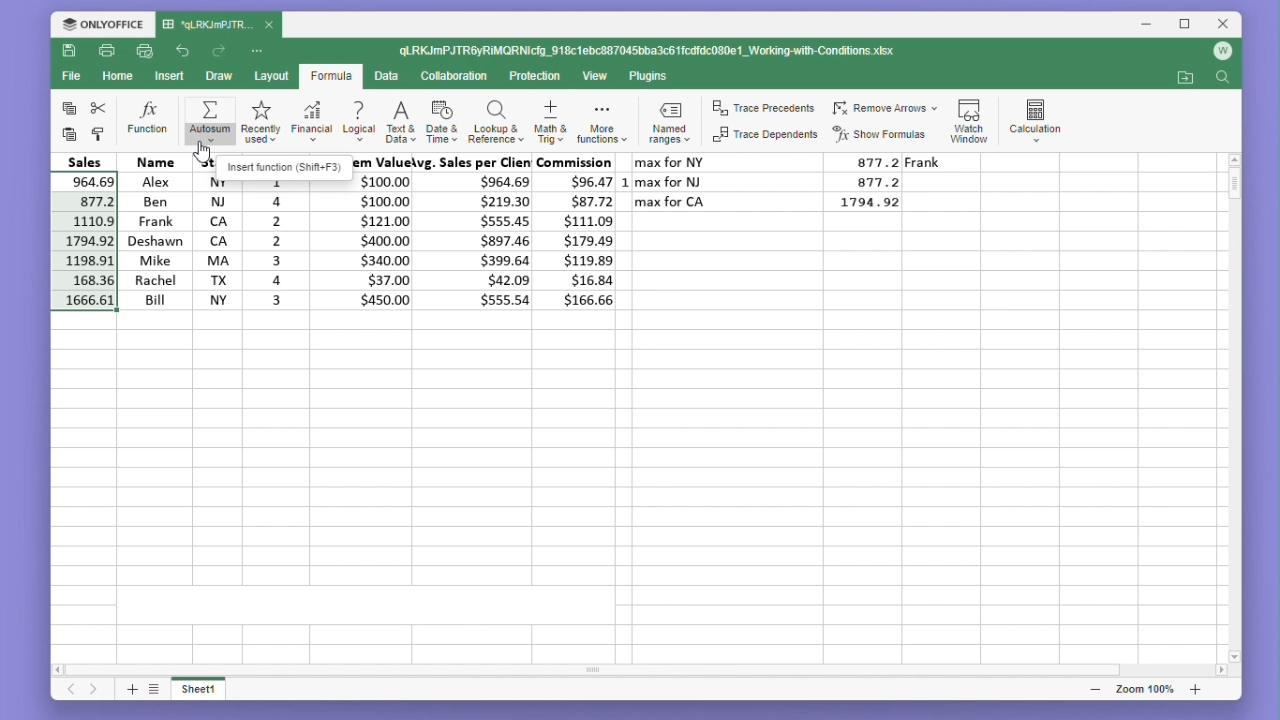 This screenshot has height=720, width=1280. What do you see at coordinates (88, 160) in the screenshot?
I see `sales` at bounding box center [88, 160].